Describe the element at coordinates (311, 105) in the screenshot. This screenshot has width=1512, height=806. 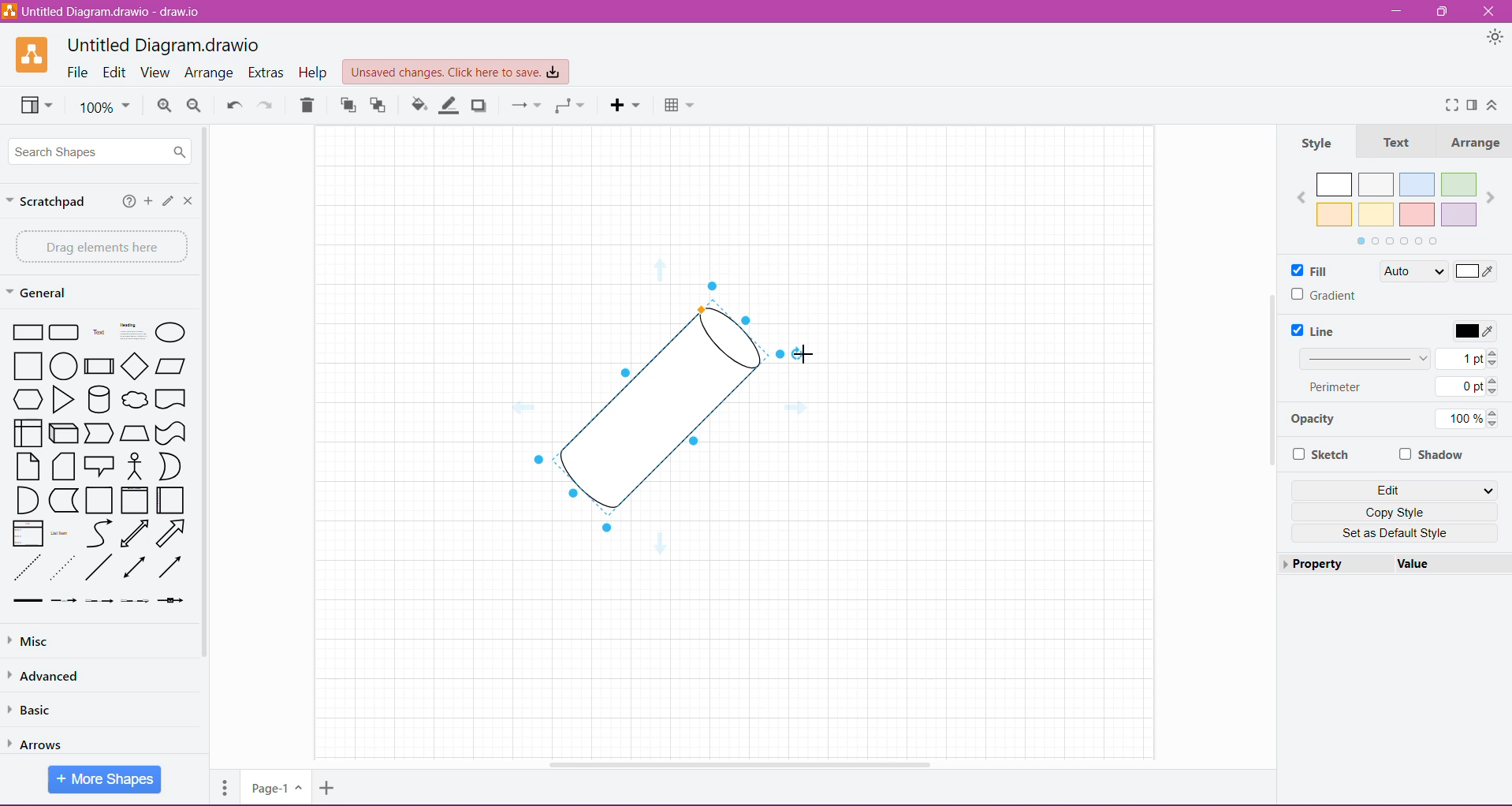
I see `Delete` at that location.